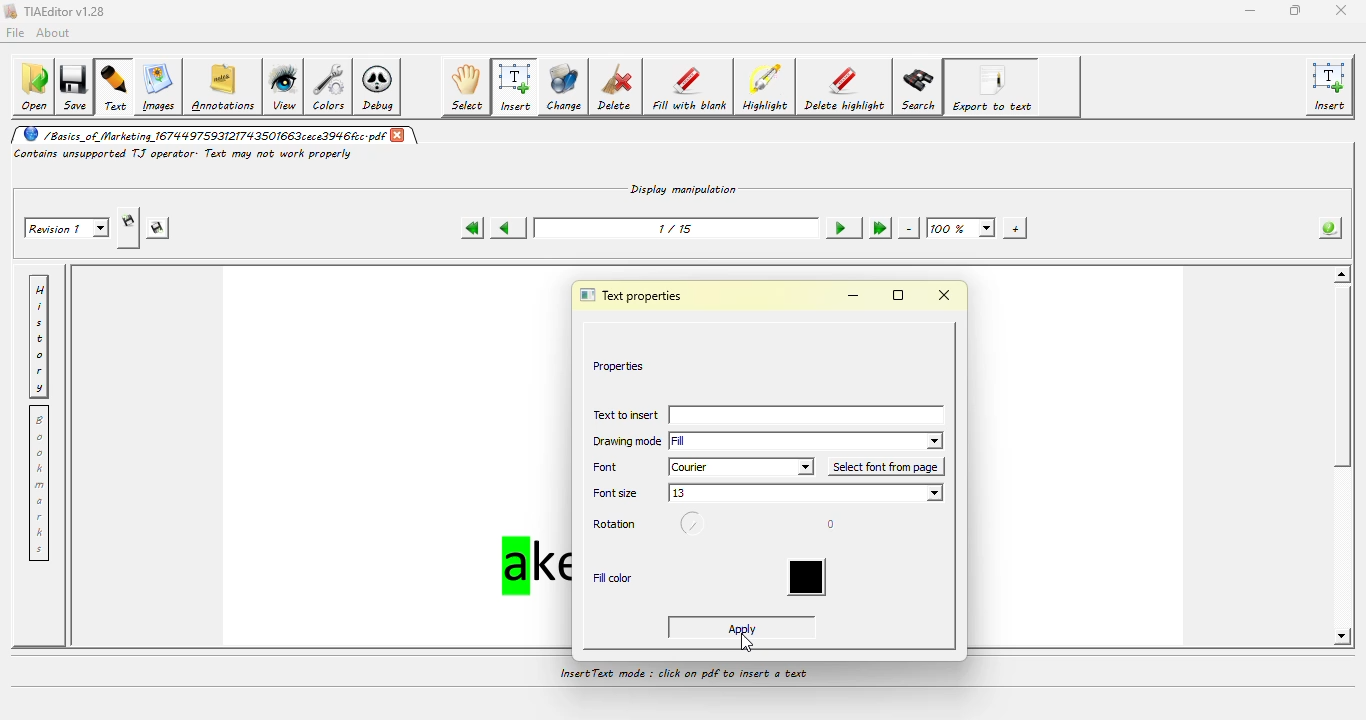 The image size is (1366, 720). Describe the element at coordinates (201, 135) in the screenshot. I see `/Basics_of Marketing 16744 9759312174 350166 3cece3946cc.pdf` at that location.